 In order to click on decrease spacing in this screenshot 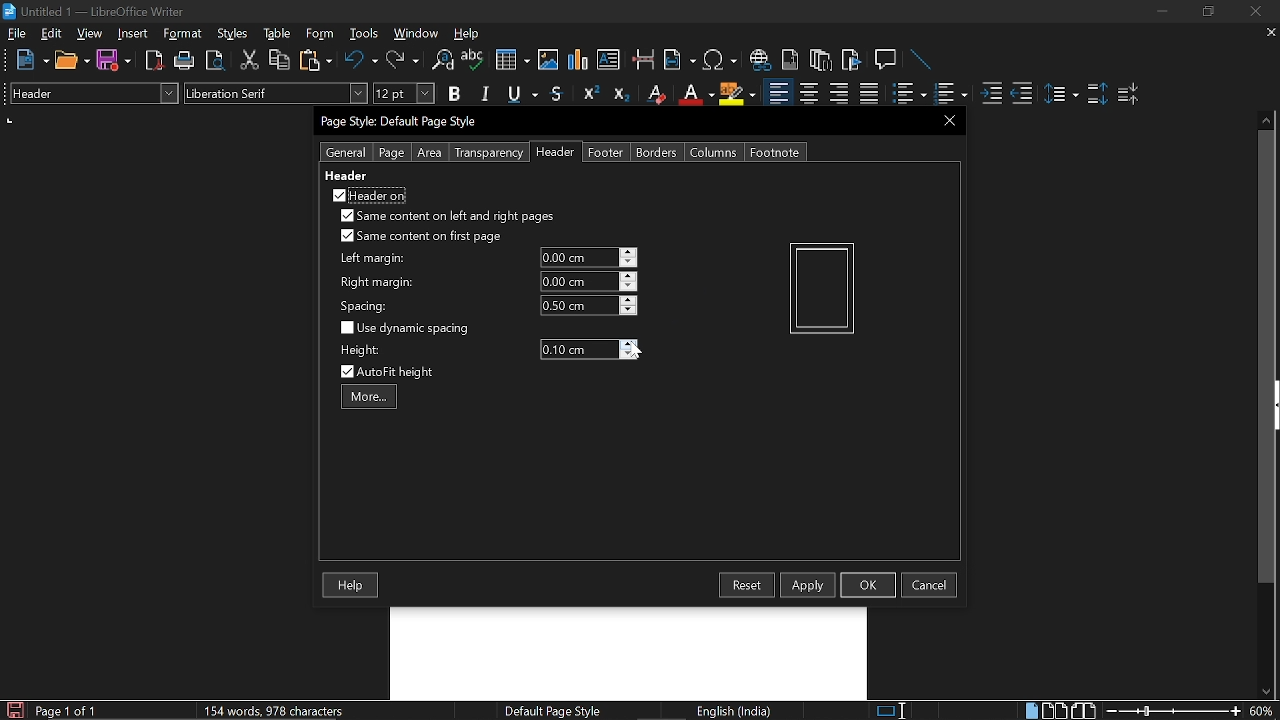, I will do `click(628, 311)`.